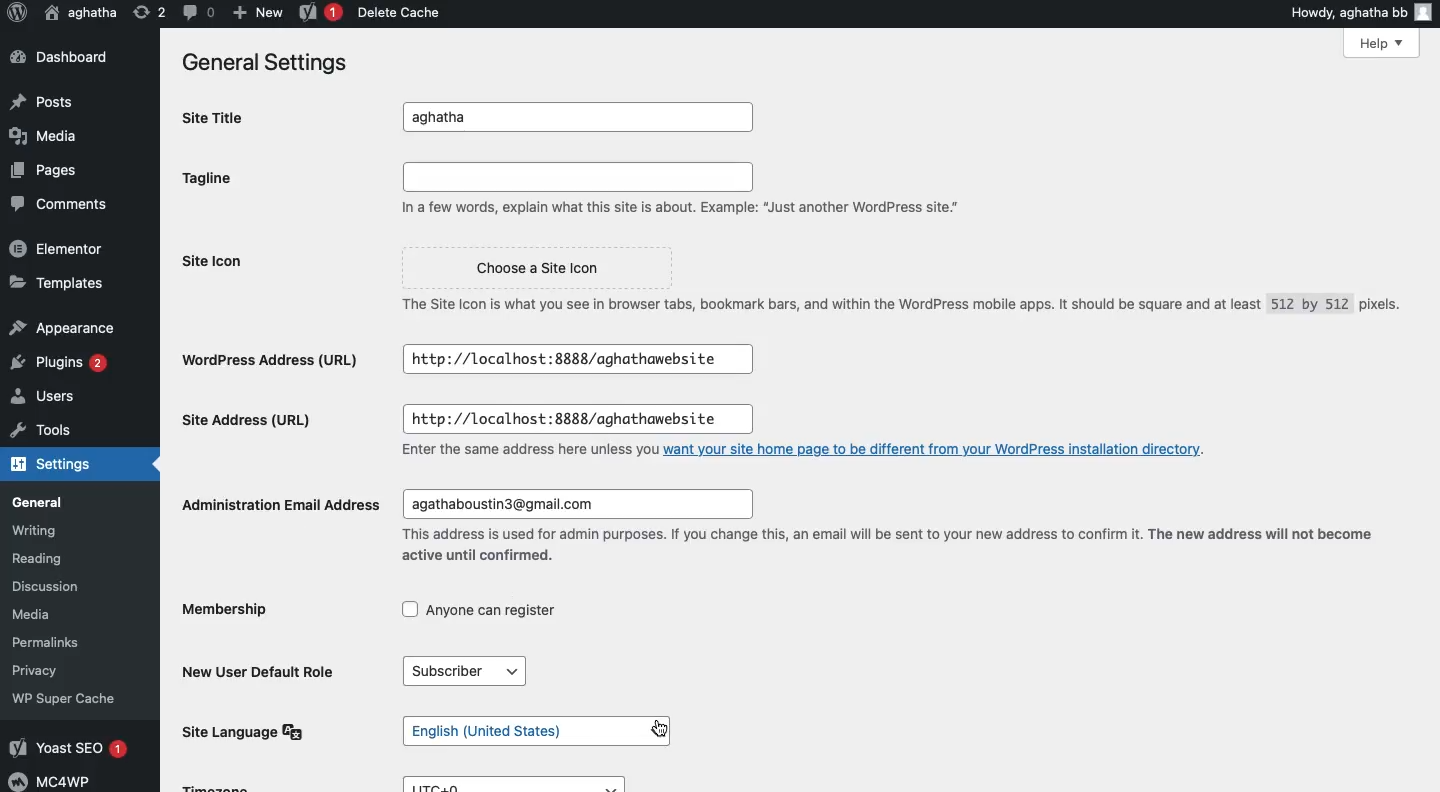 The image size is (1440, 792). What do you see at coordinates (49, 614) in the screenshot?
I see `Media` at bounding box center [49, 614].